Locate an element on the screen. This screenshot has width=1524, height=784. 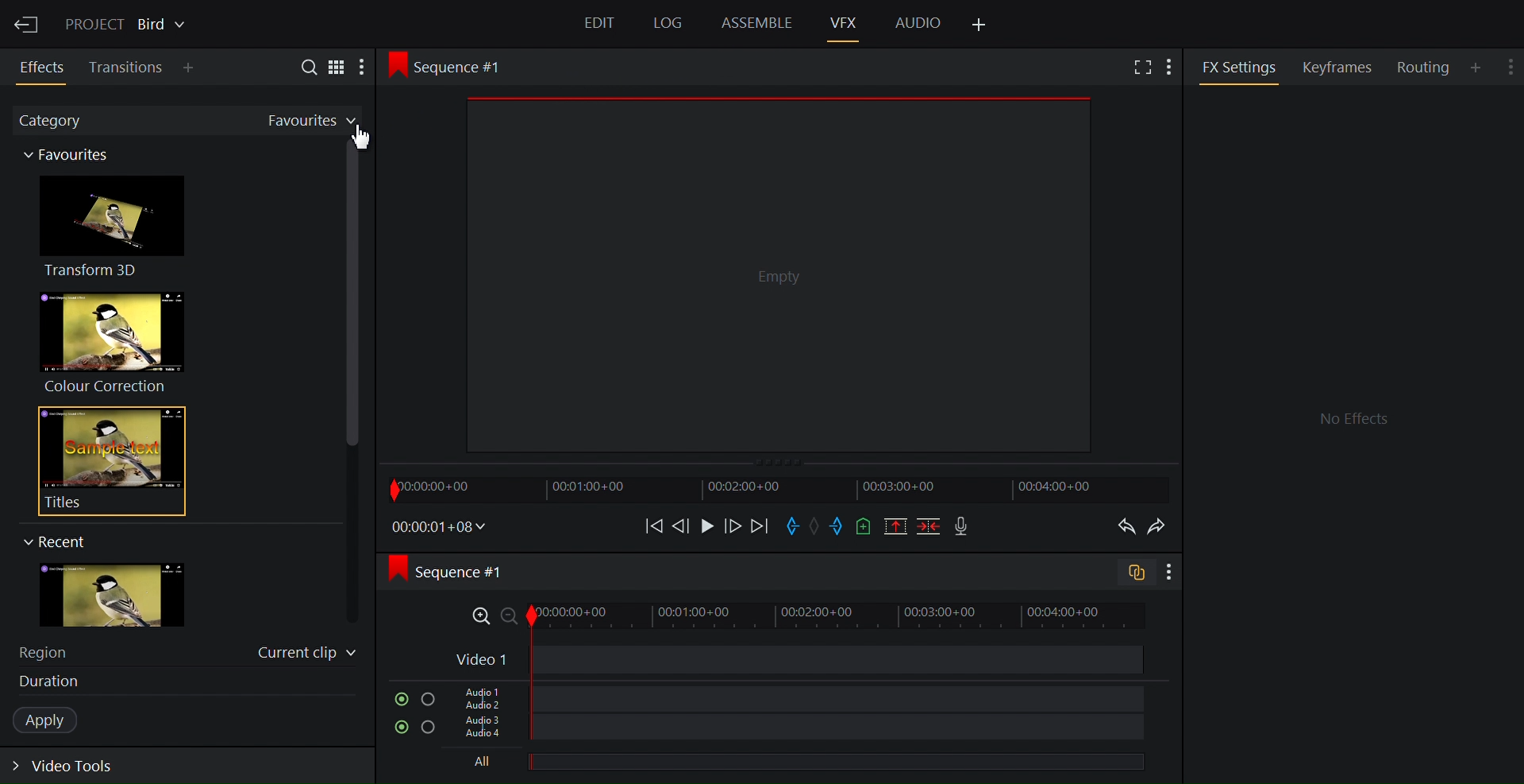
Mute/Unmute is located at coordinates (398, 728).